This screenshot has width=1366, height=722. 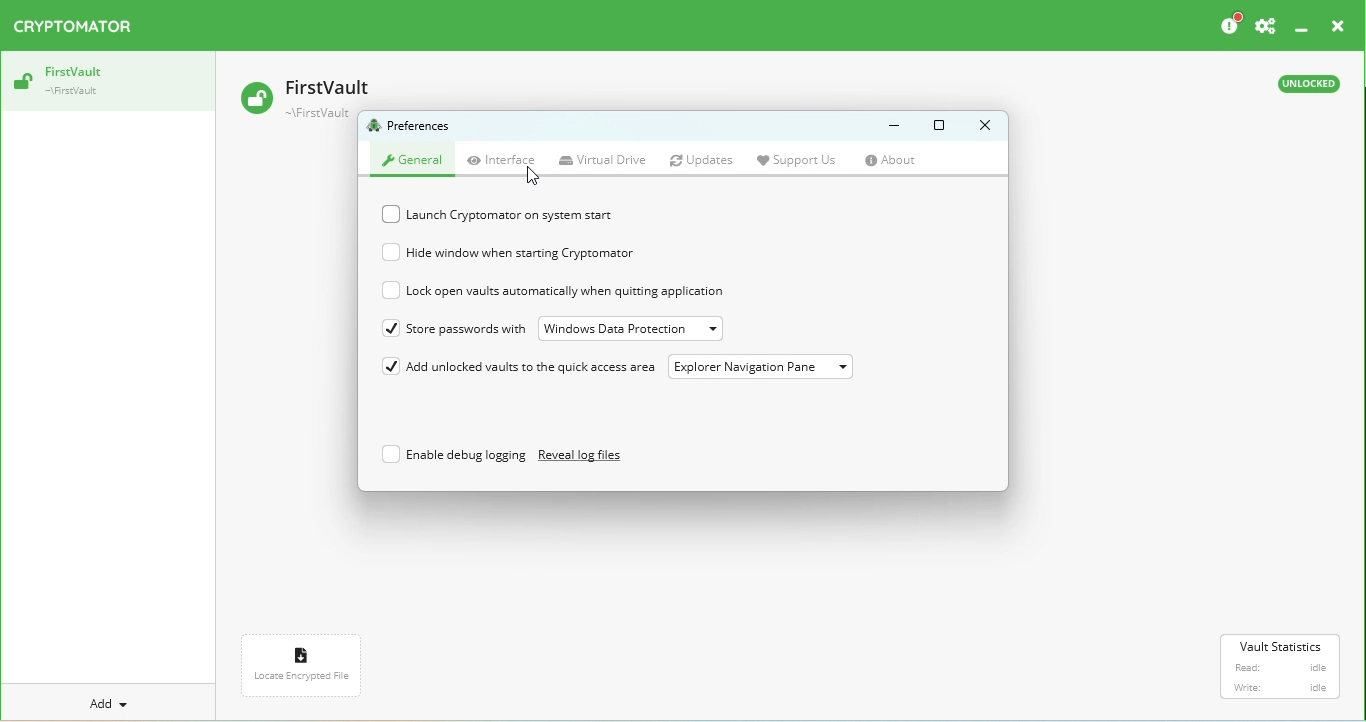 I want to click on lock open vaults automatically when quitting application, so click(x=577, y=291).